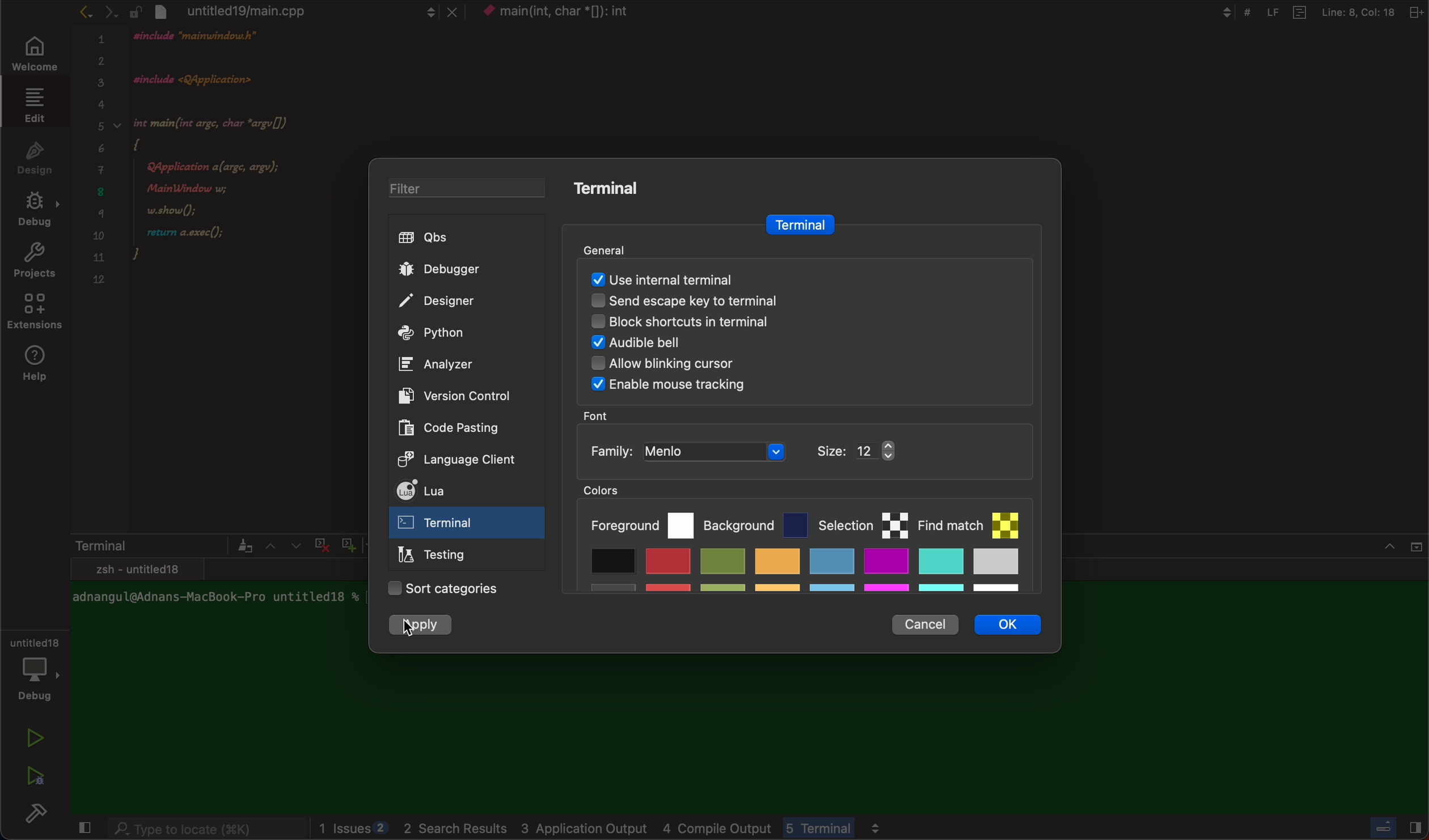 The height and width of the screenshot is (840, 1429). What do you see at coordinates (437, 557) in the screenshot?
I see `testing` at bounding box center [437, 557].